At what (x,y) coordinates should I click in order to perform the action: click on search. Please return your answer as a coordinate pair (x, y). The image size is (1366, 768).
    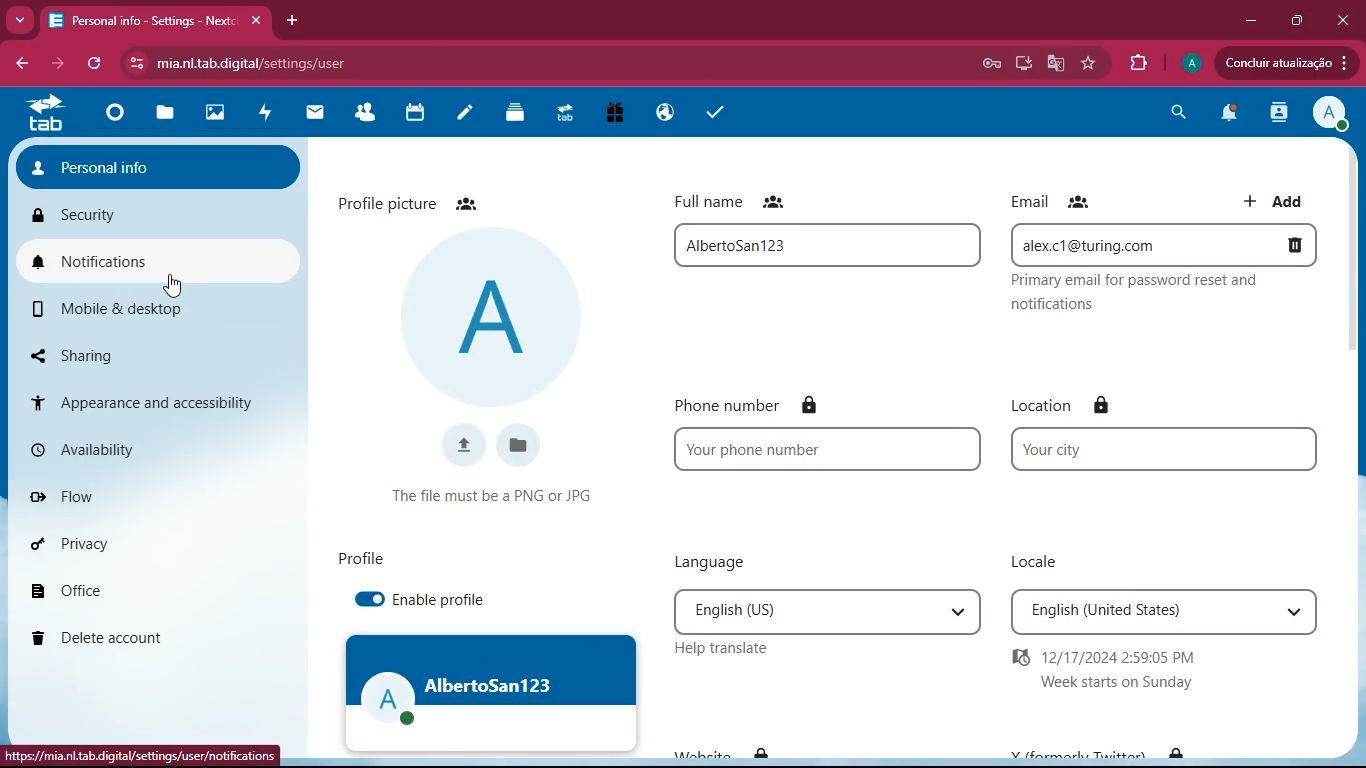
    Looking at the image, I should click on (1174, 115).